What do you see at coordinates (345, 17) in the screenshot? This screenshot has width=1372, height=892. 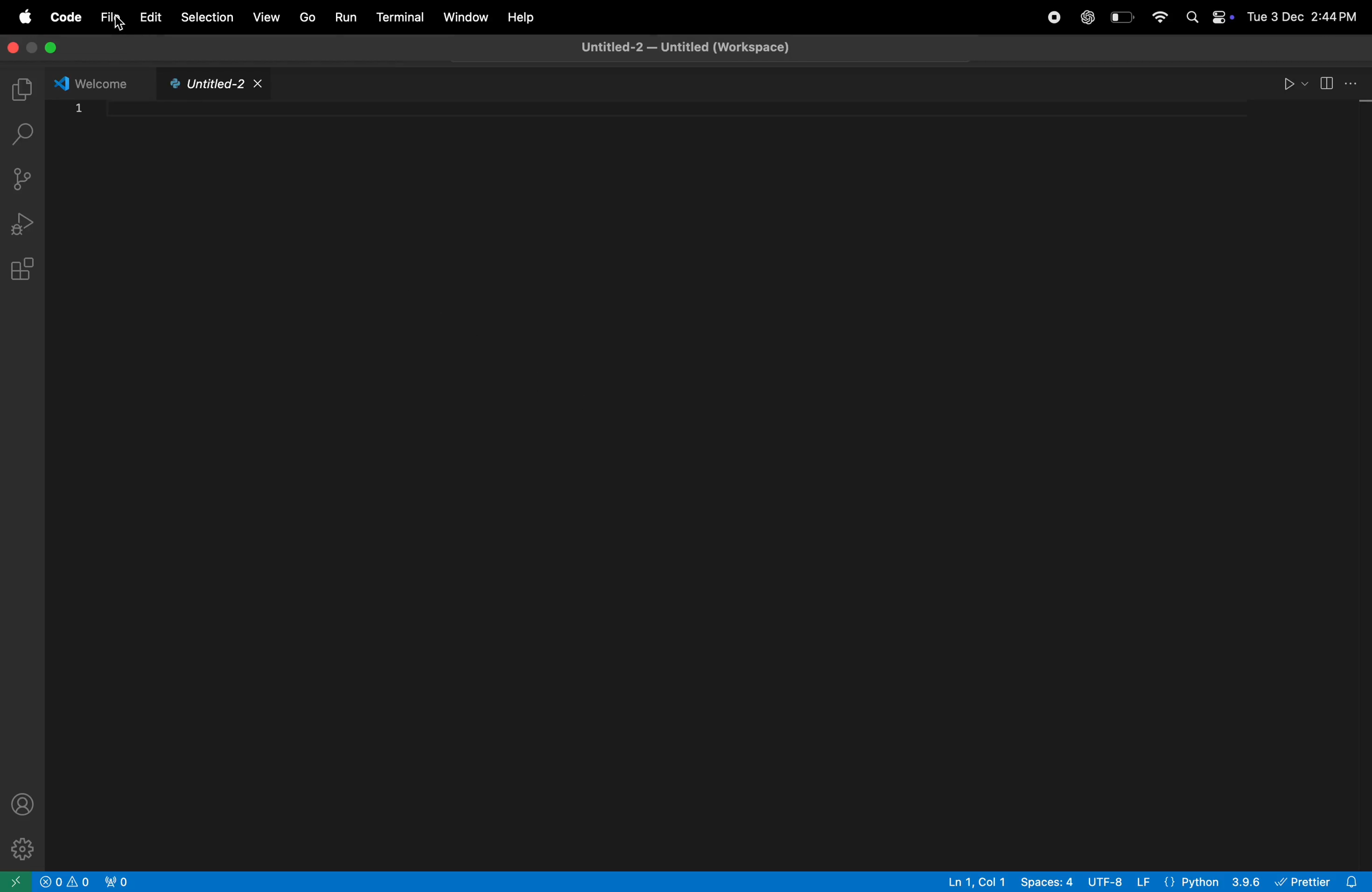 I see `run` at bounding box center [345, 17].